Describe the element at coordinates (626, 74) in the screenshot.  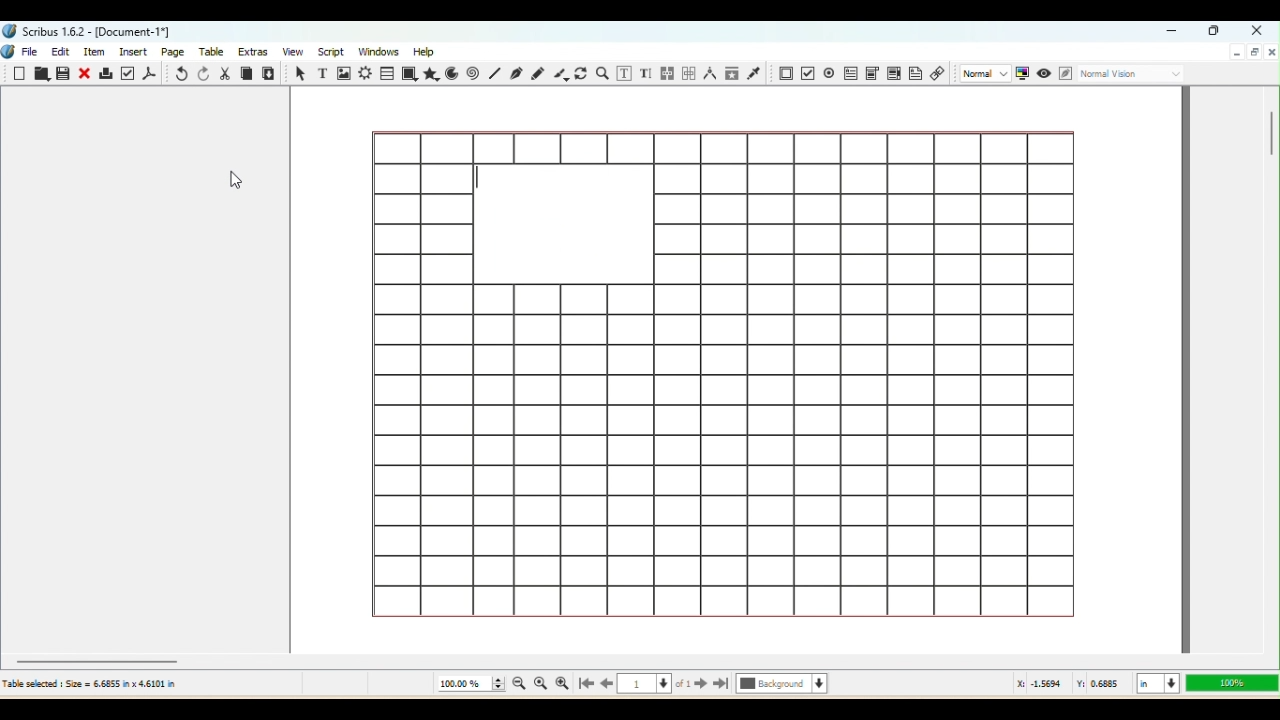
I see `Edit contents of Frame` at that location.